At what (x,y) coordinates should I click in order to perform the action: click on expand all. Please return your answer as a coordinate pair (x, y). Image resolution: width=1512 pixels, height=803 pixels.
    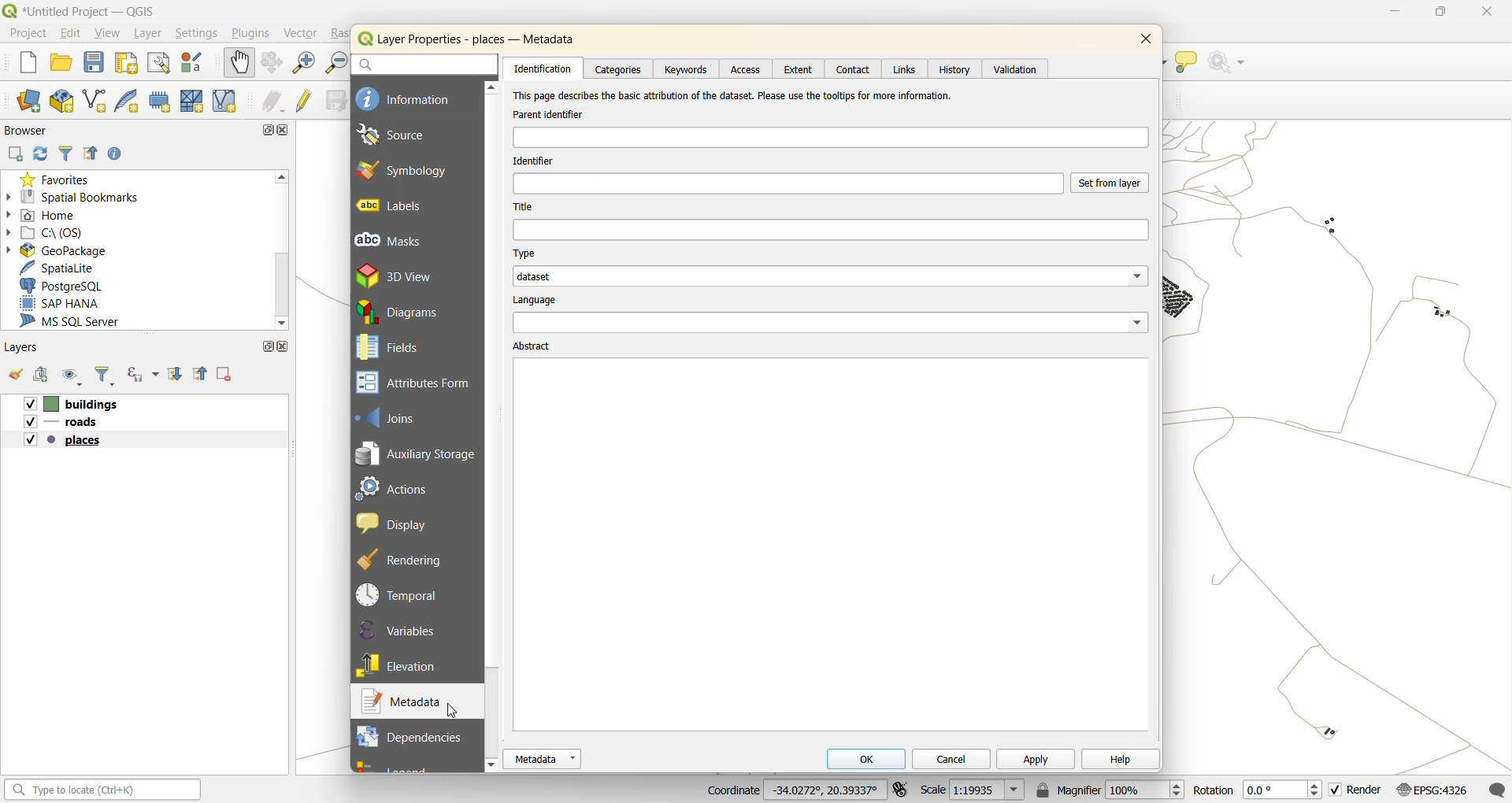
    Looking at the image, I should click on (177, 375).